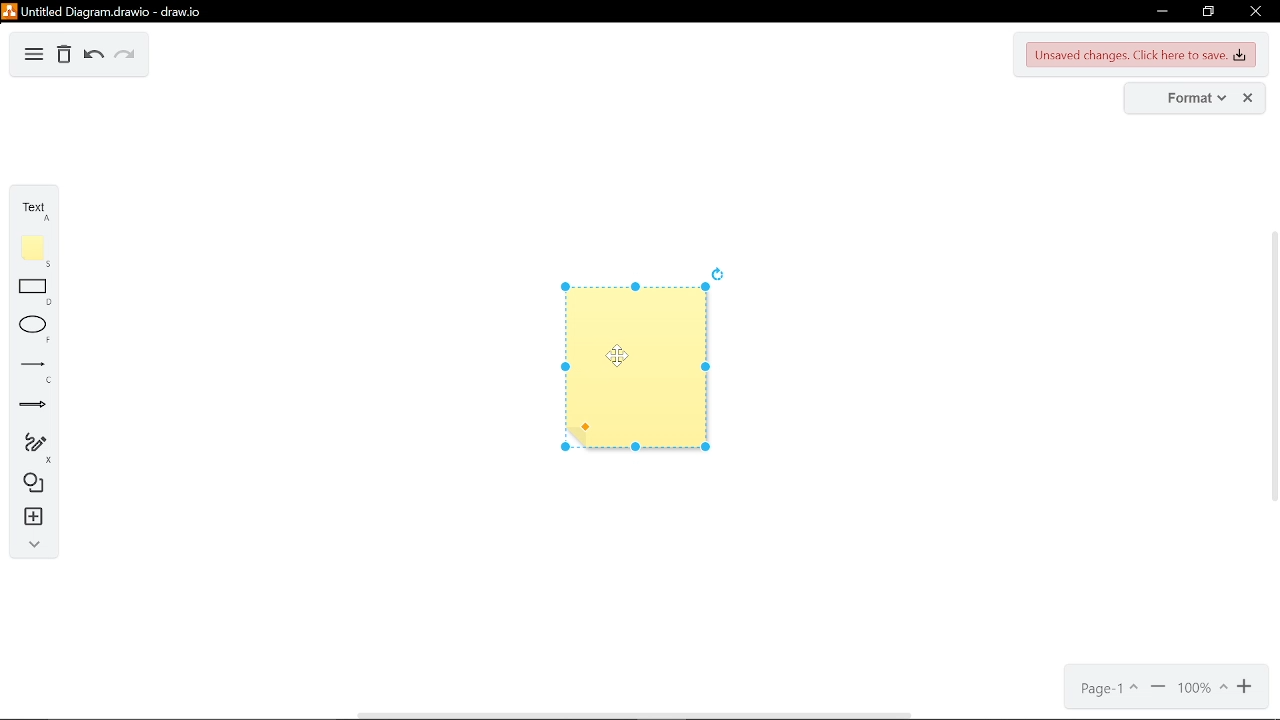 This screenshot has height=720, width=1280. I want to click on redo, so click(124, 57).